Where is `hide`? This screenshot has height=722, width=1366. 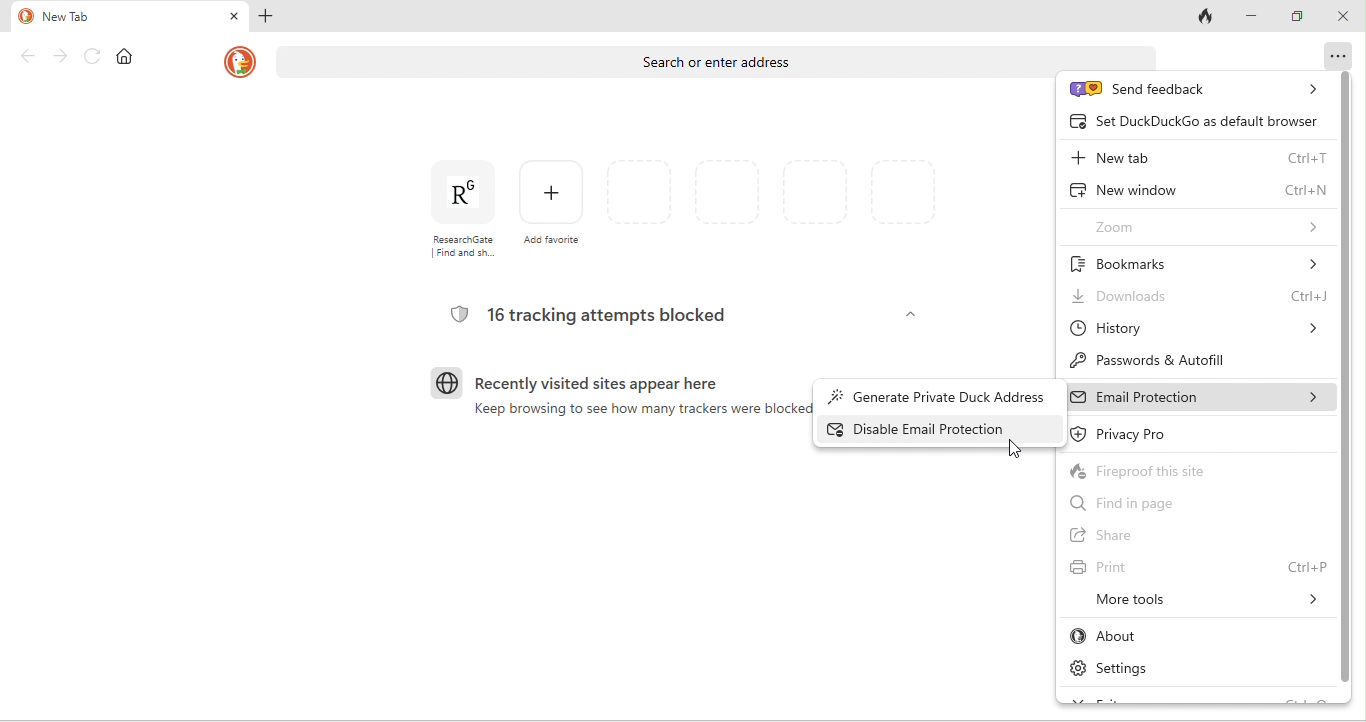
hide is located at coordinates (908, 315).